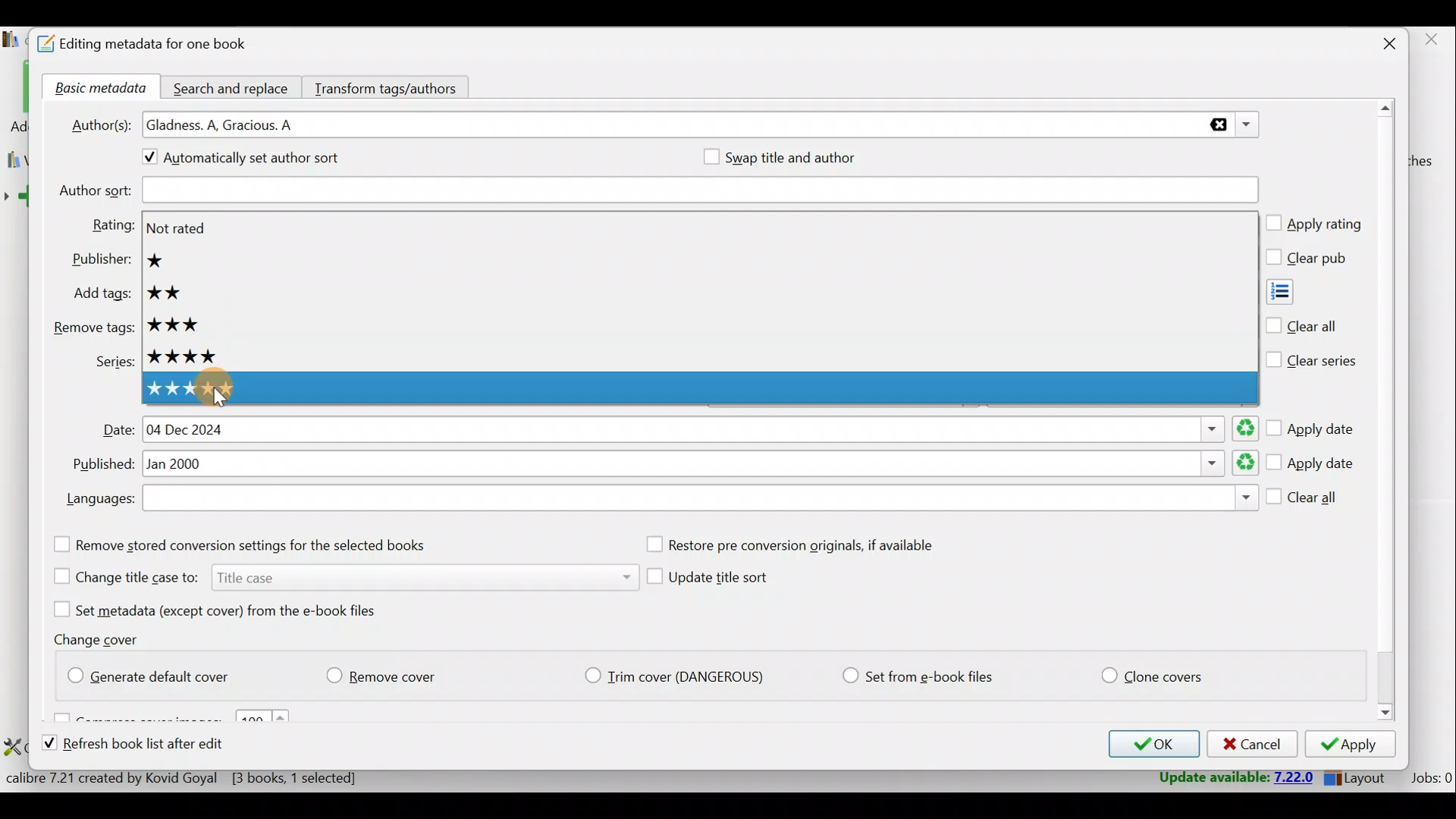 The height and width of the screenshot is (819, 1456). I want to click on Editing metadata for one book, so click(161, 45).